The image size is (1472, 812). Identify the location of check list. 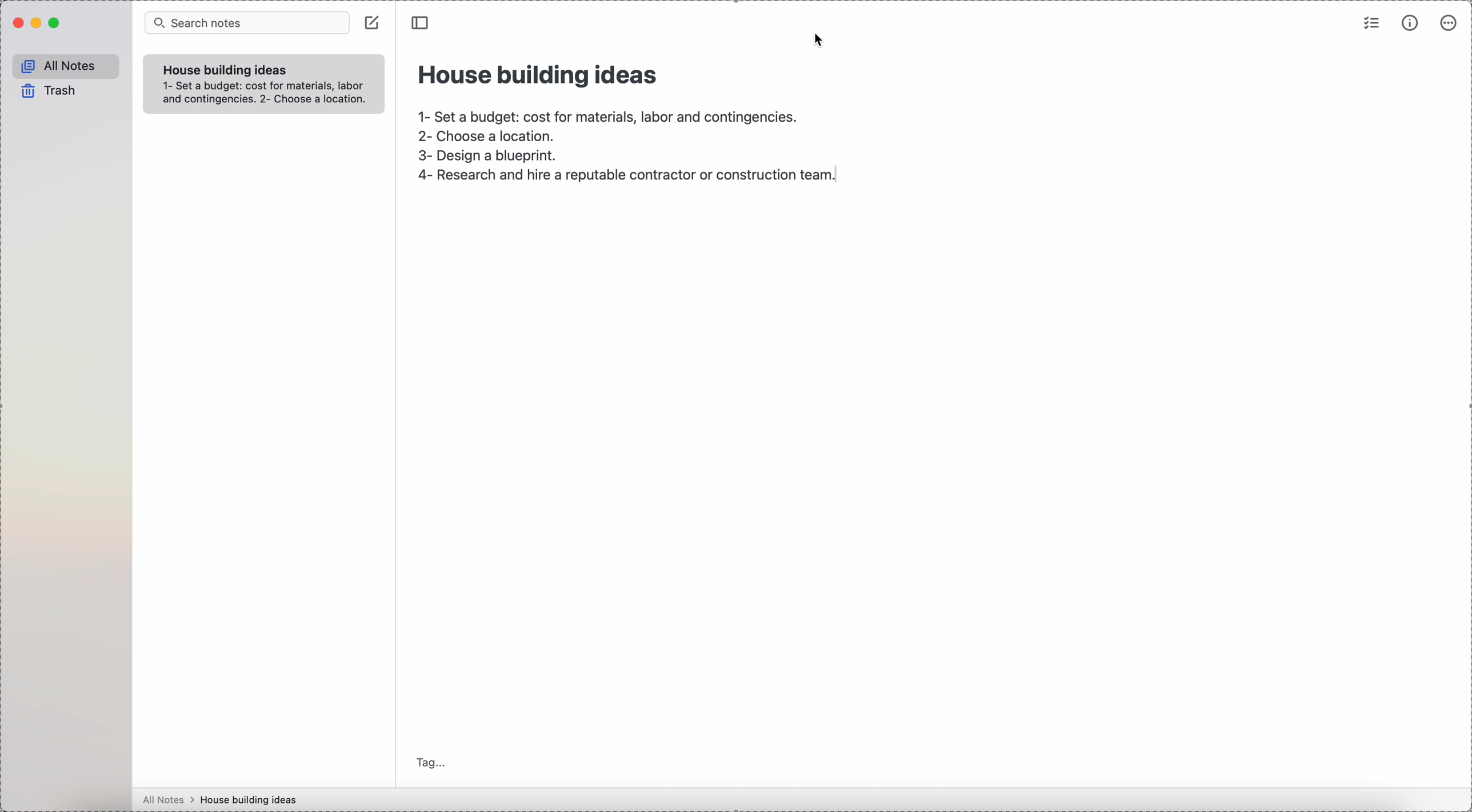
(1370, 25).